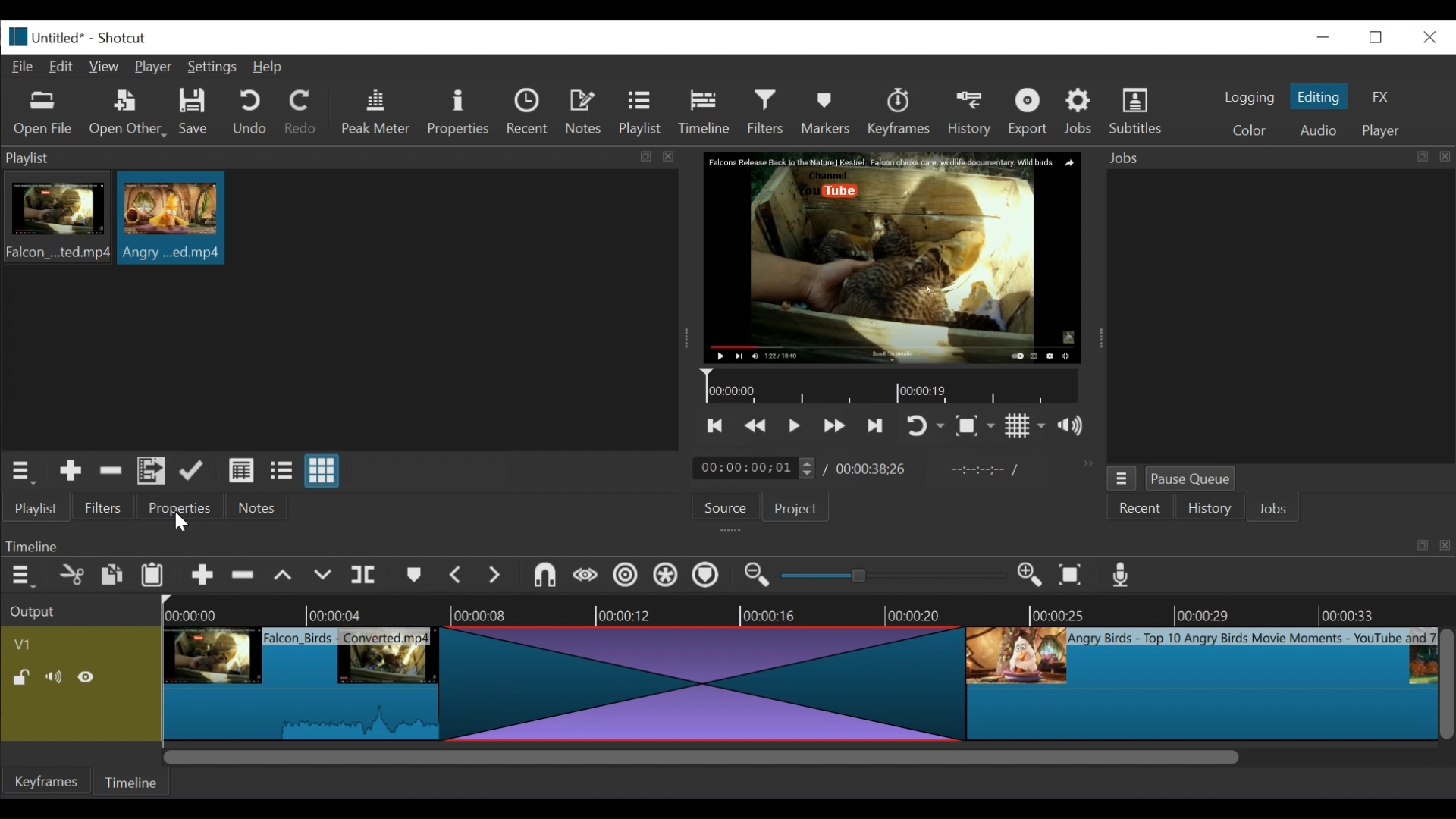 This screenshot has height=819, width=1456. Describe the element at coordinates (320, 472) in the screenshot. I see `view as icons` at that location.